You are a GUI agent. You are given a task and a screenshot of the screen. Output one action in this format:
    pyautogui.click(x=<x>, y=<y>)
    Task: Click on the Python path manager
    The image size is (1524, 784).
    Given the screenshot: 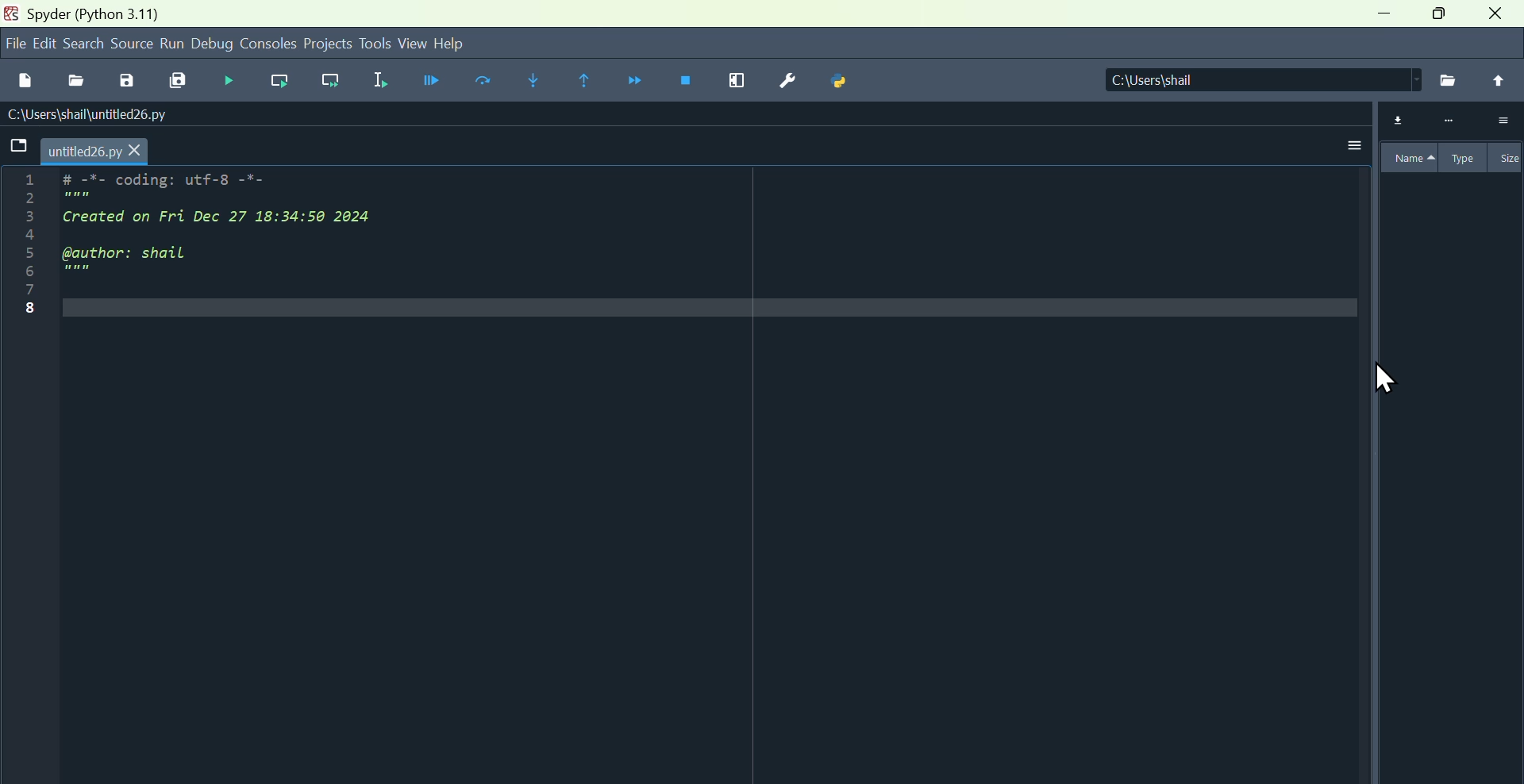 What is the action you would take?
    pyautogui.click(x=844, y=83)
    